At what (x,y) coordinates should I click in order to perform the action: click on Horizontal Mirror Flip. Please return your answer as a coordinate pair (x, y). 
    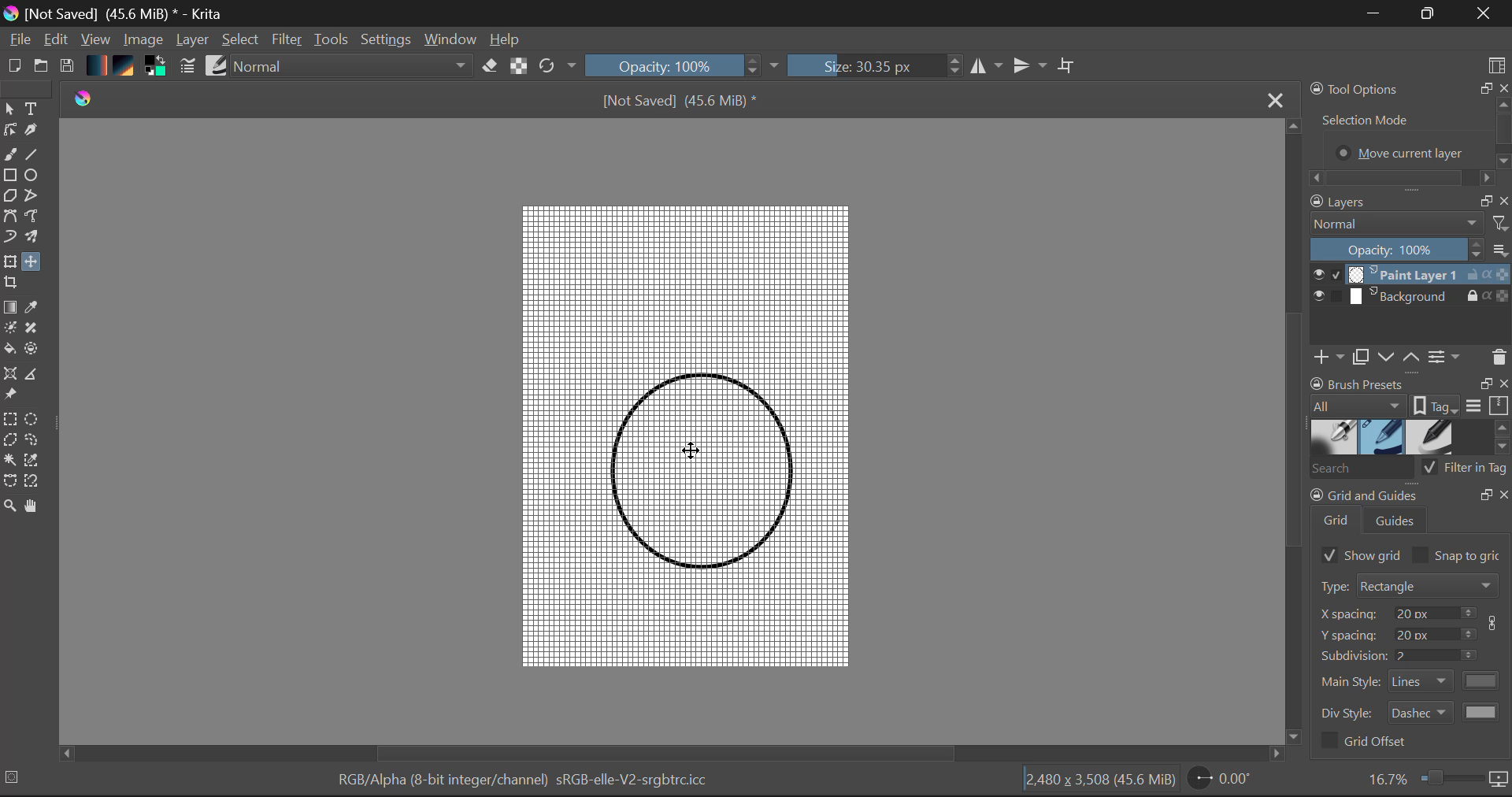
    Looking at the image, I should click on (1032, 65).